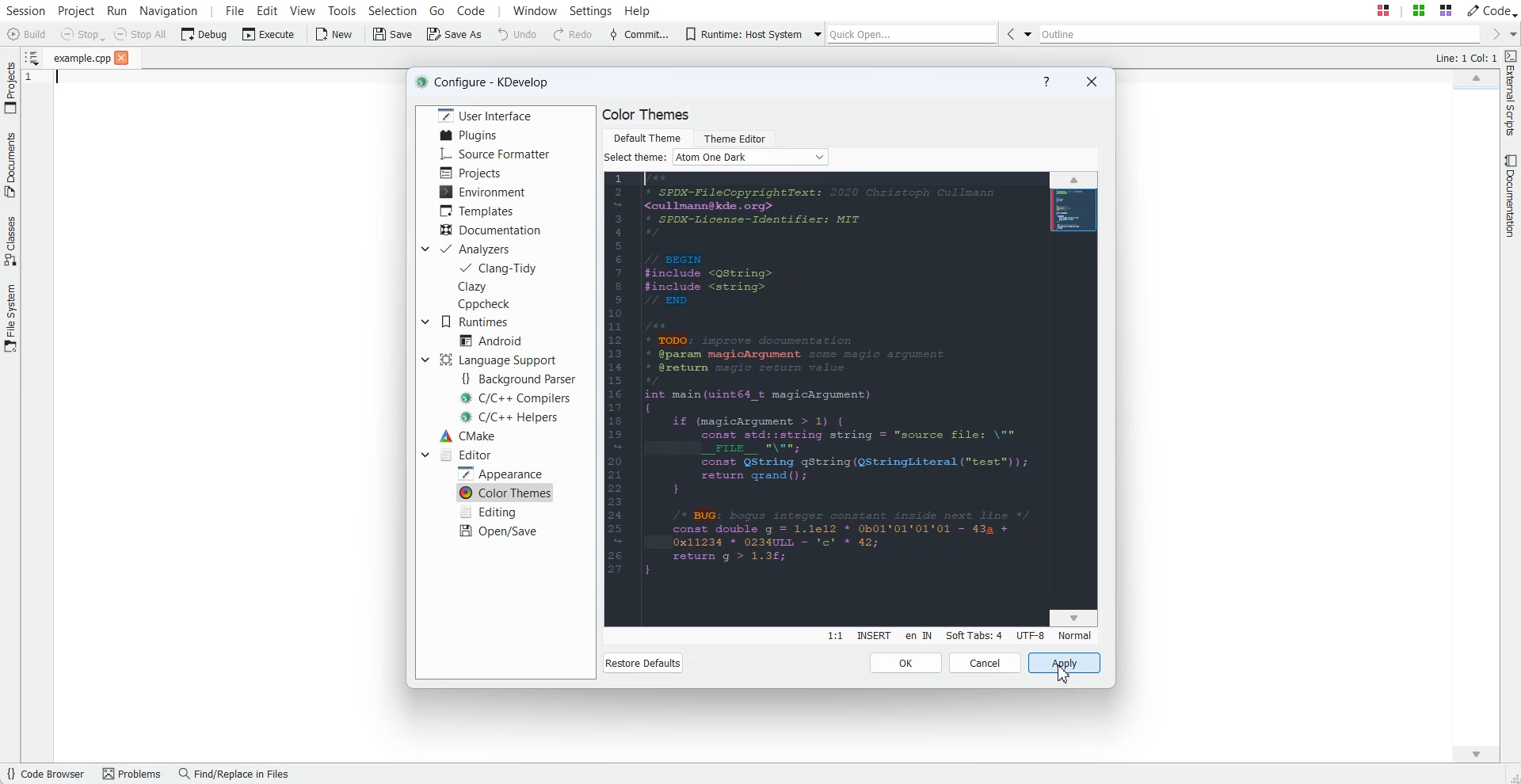 The image size is (1521, 784). What do you see at coordinates (10, 318) in the screenshot?
I see `File System` at bounding box center [10, 318].